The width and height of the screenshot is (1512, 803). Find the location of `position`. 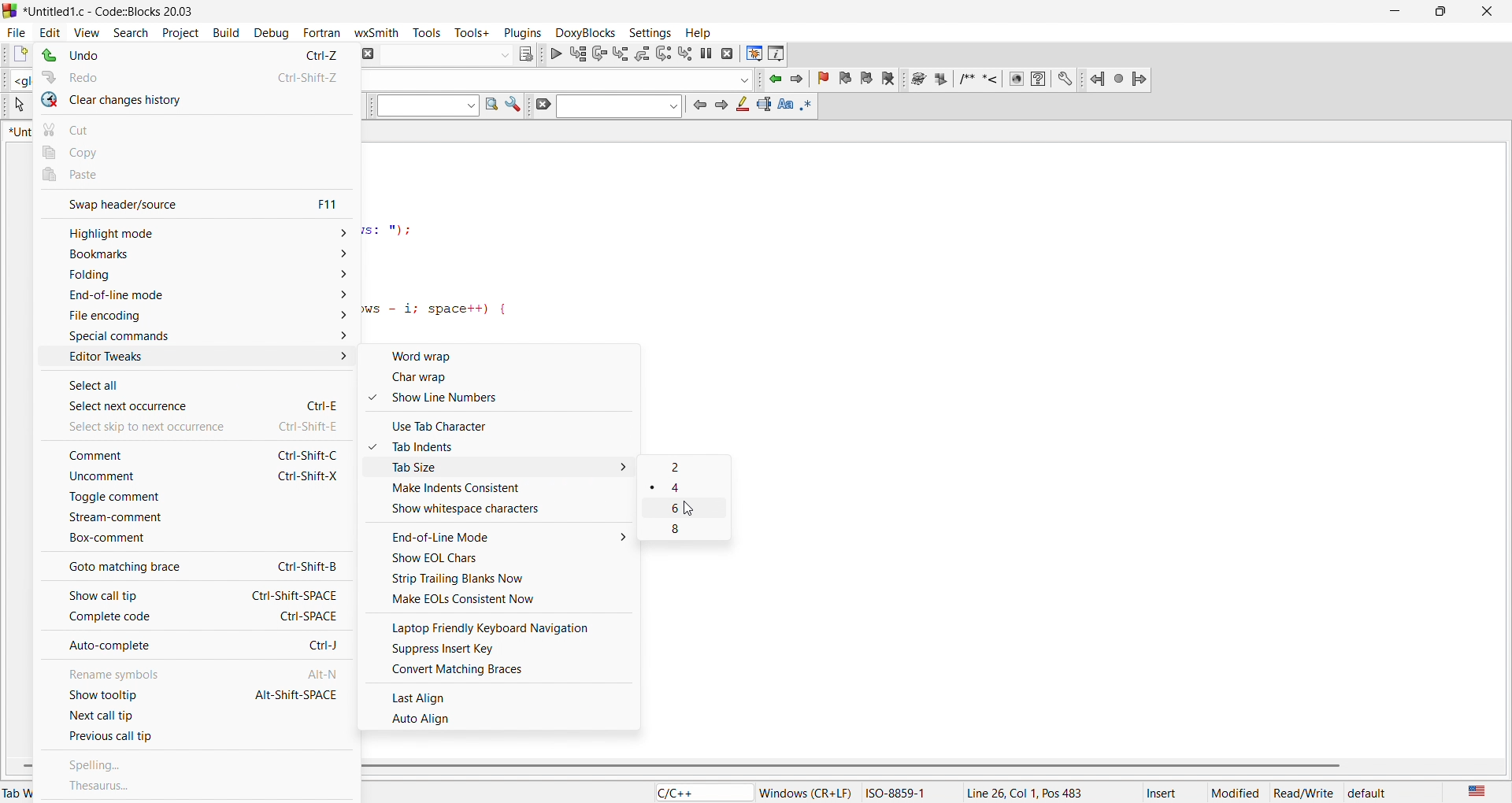

position is located at coordinates (1039, 791).